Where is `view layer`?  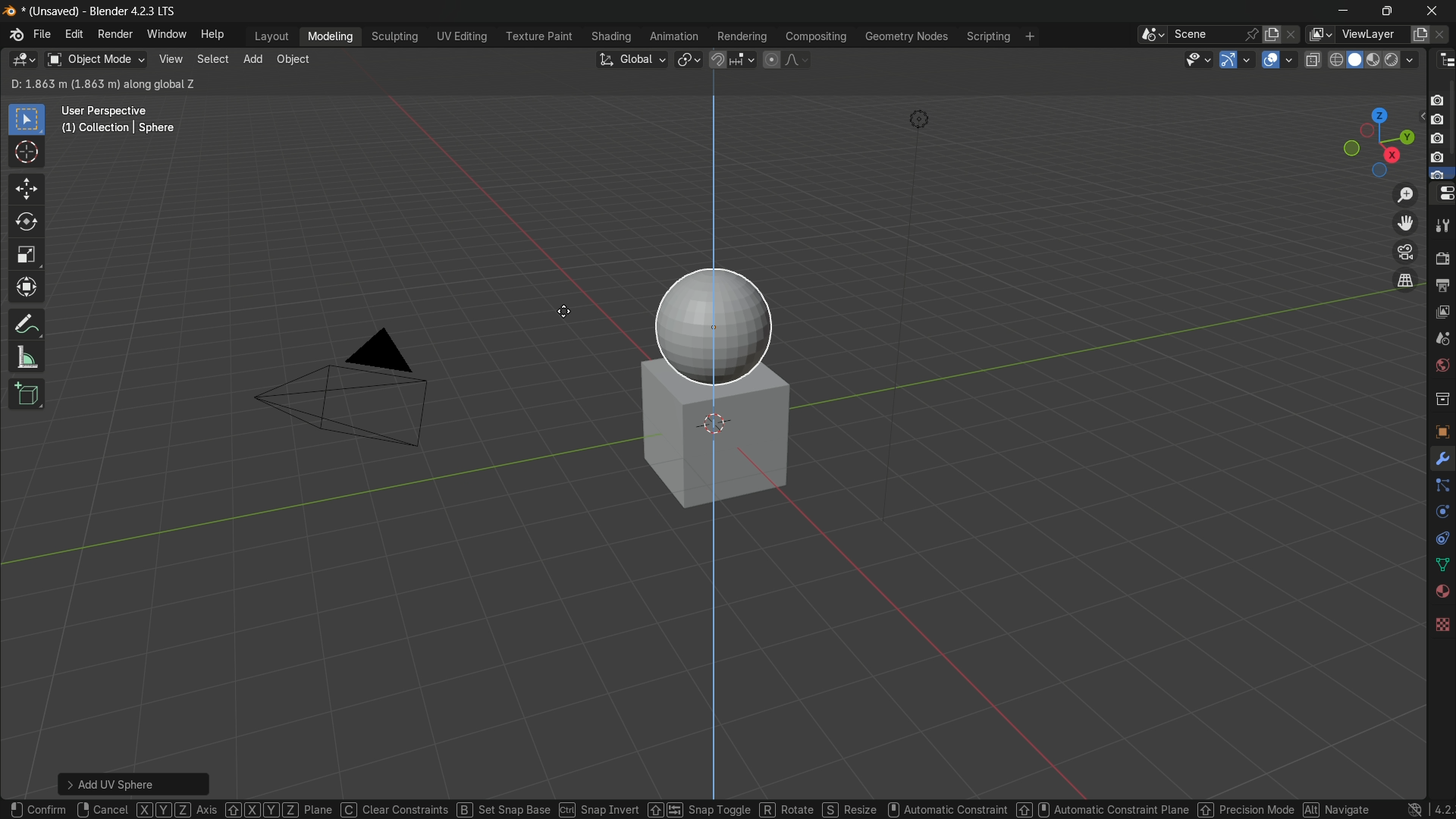 view layer is located at coordinates (1443, 312).